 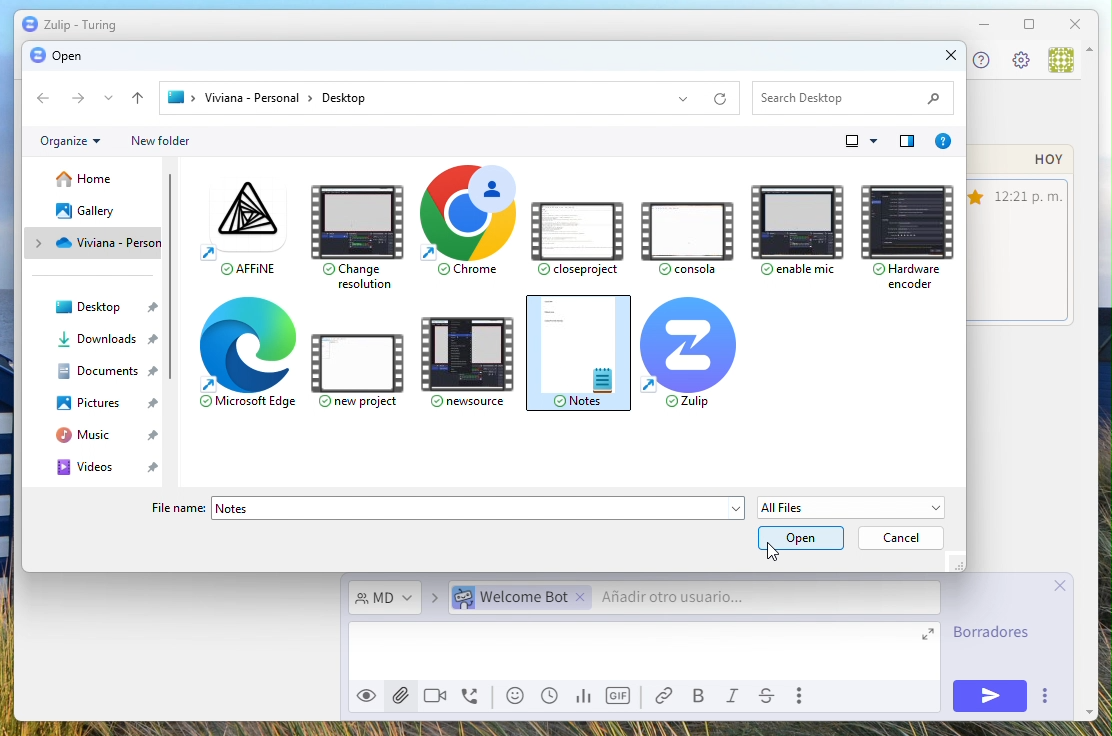 What do you see at coordinates (803, 696) in the screenshot?
I see `more` at bounding box center [803, 696].